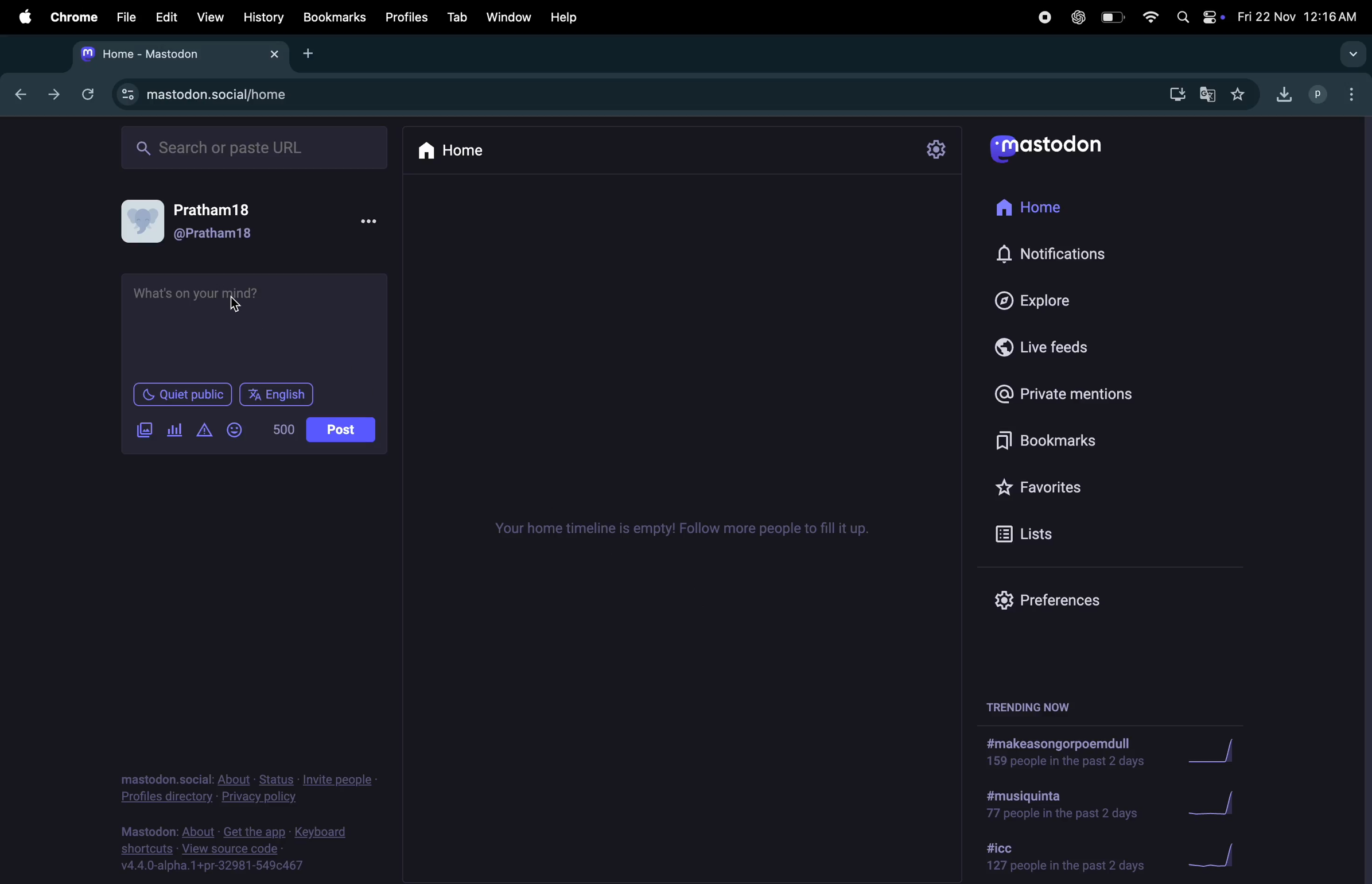 The image size is (1372, 884). Describe the element at coordinates (253, 222) in the screenshot. I see `user profile` at that location.